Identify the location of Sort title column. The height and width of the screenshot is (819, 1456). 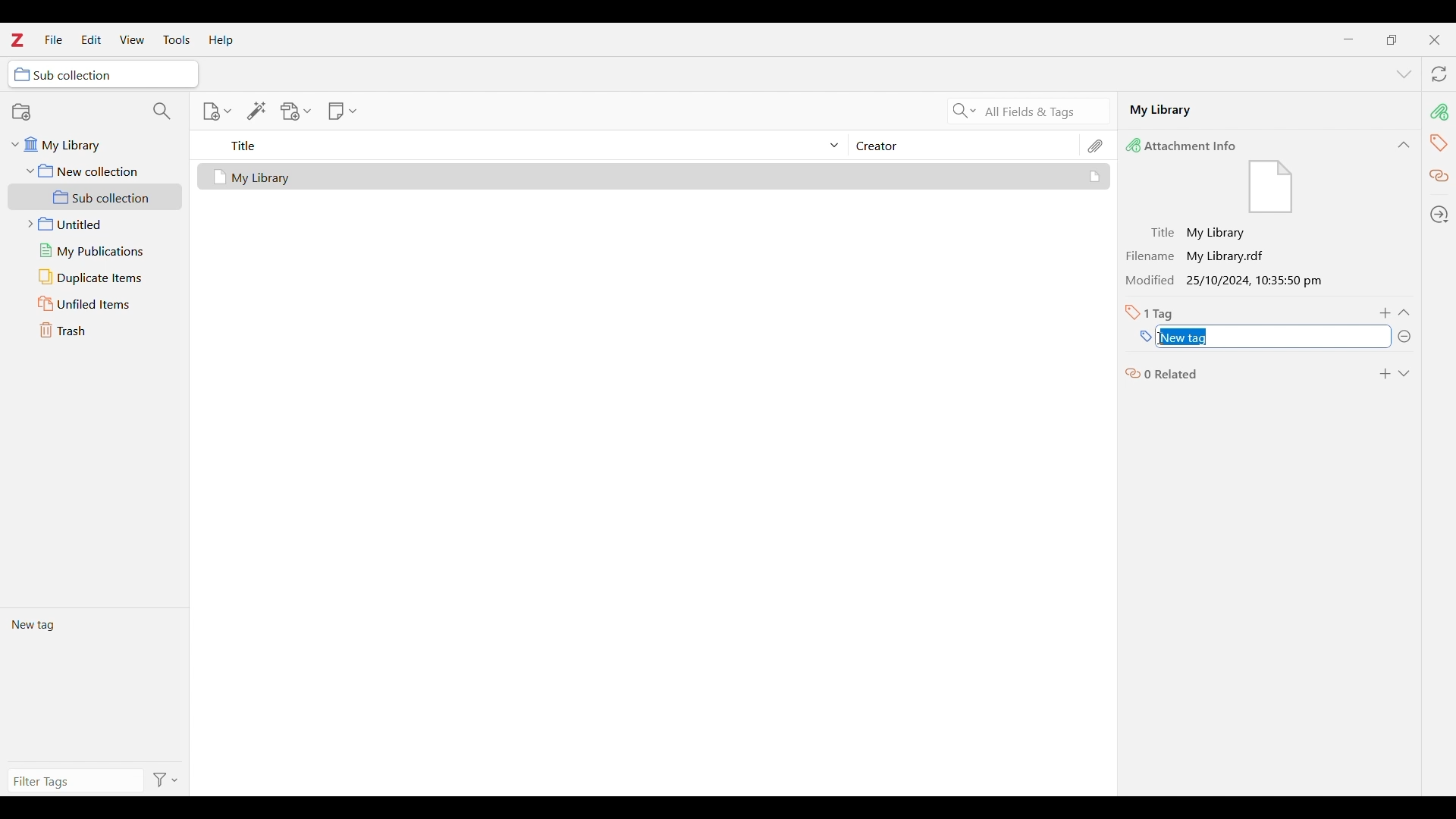
(528, 145).